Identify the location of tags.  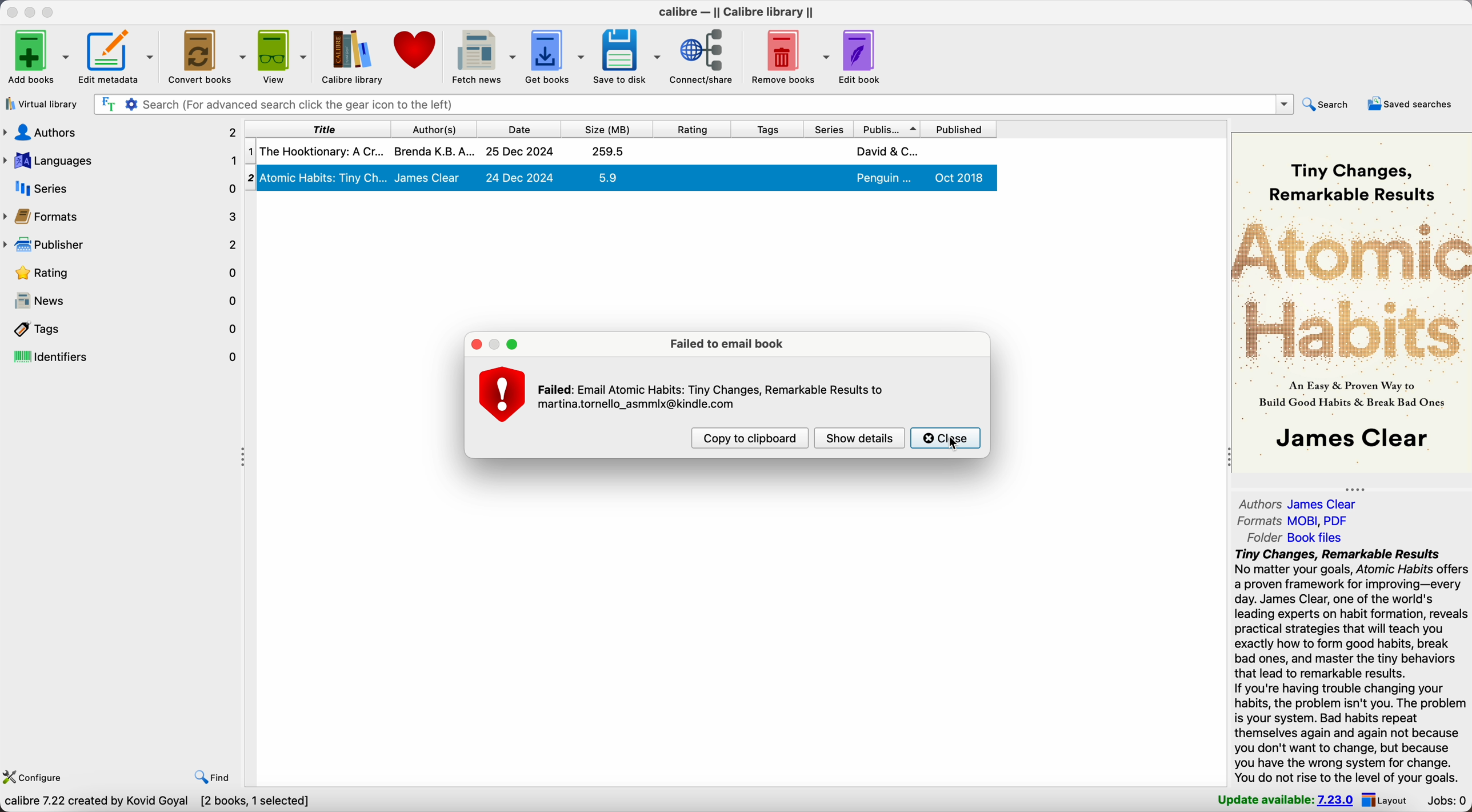
(765, 128).